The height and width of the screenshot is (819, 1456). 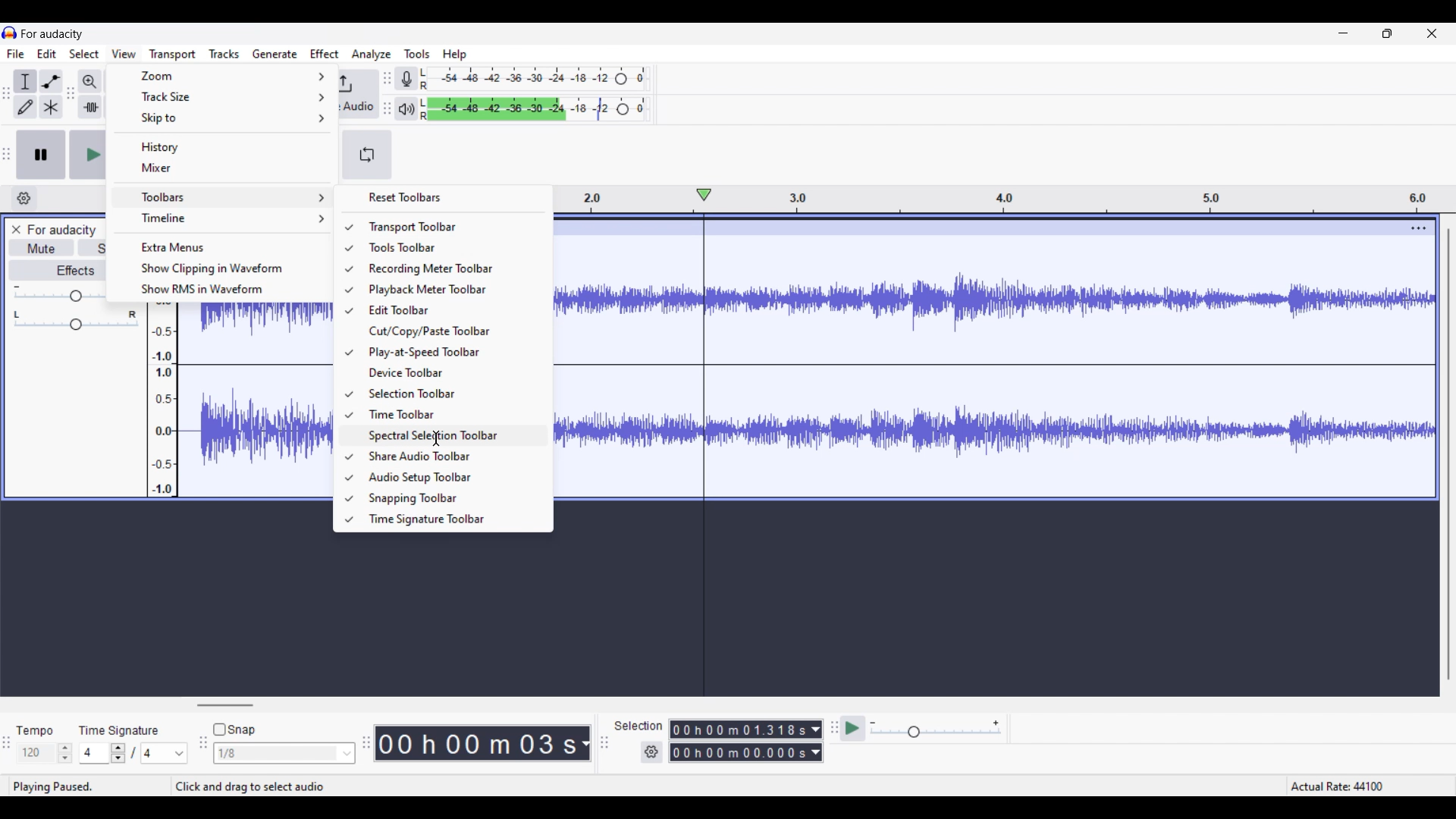 What do you see at coordinates (585, 743) in the screenshot?
I see `Duration measurement options` at bounding box center [585, 743].